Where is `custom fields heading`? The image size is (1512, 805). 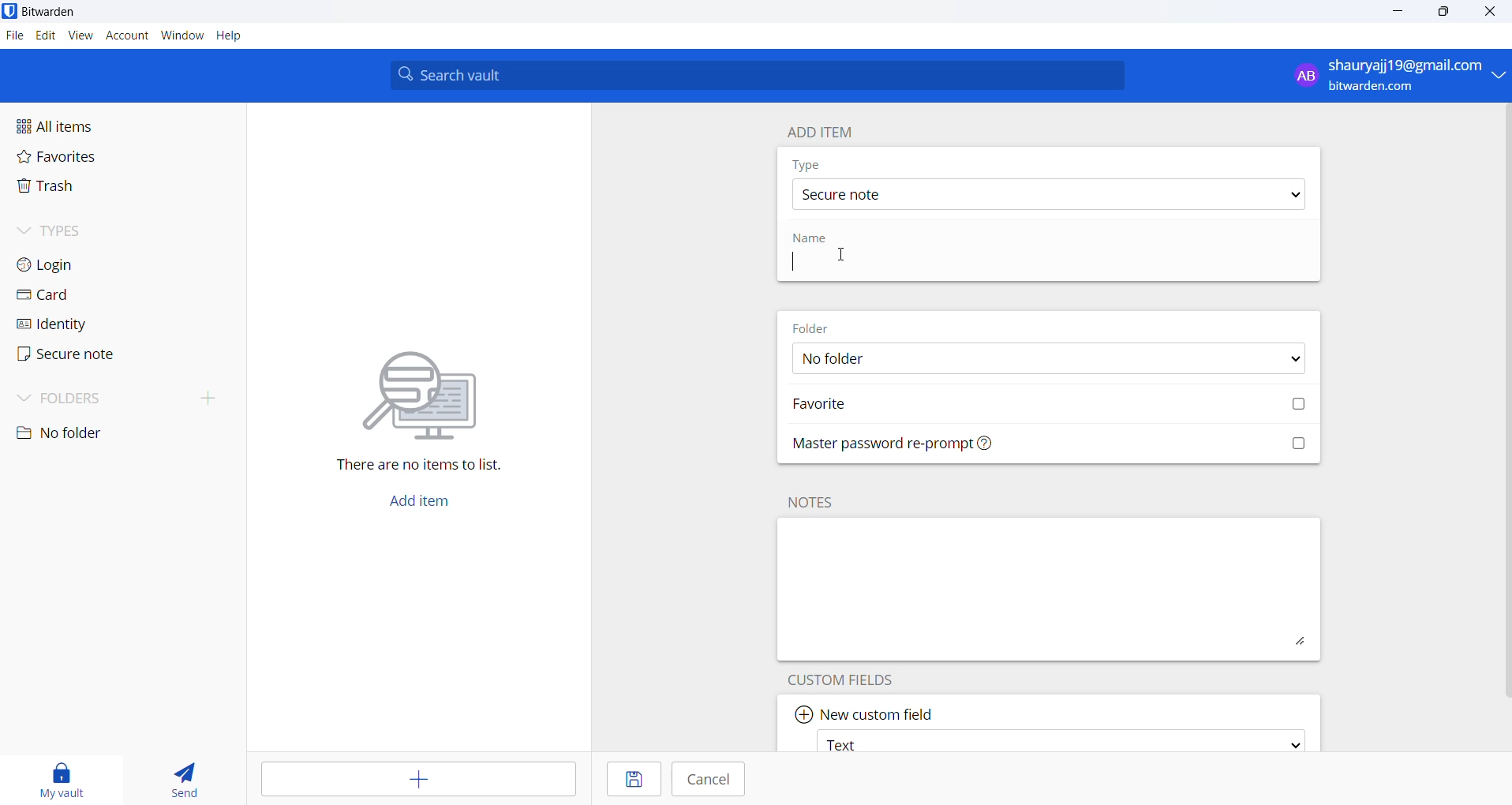 custom fields heading is located at coordinates (852, 678).